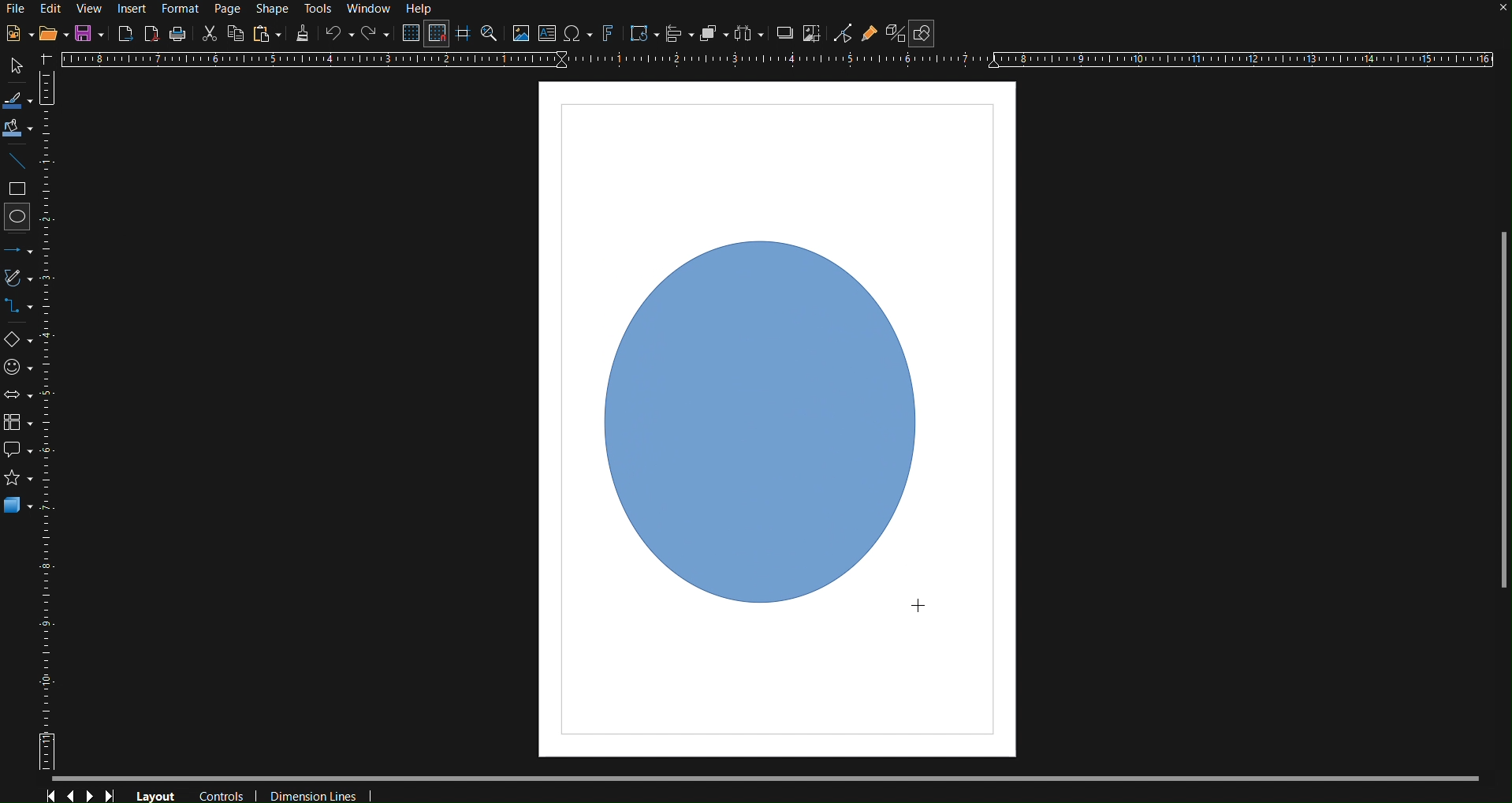 Image resolution: width=1512 pixels, height=803 pixels. What do you see at coordinates (182, 9) in the screenshot?
I see `Format` at bounding box center [182, 9].